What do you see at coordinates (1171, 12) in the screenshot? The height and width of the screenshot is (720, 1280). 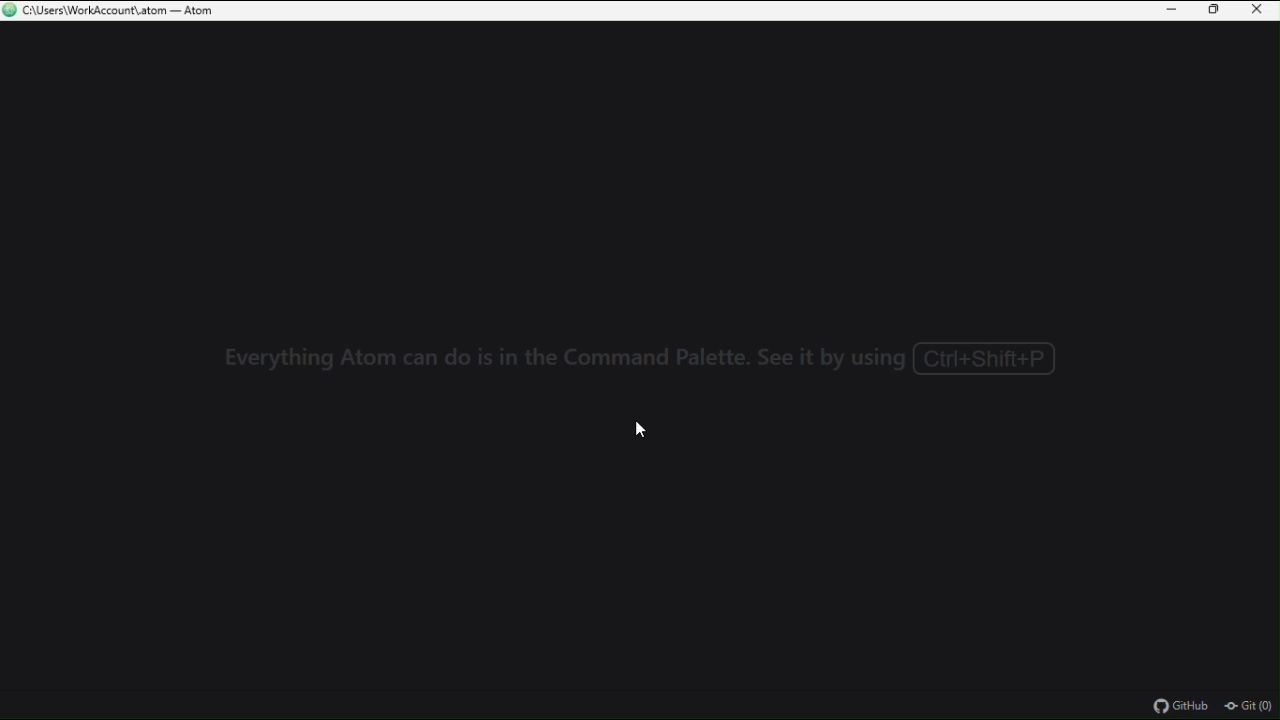 I see `minimise` at bounding box center [1171, 12].